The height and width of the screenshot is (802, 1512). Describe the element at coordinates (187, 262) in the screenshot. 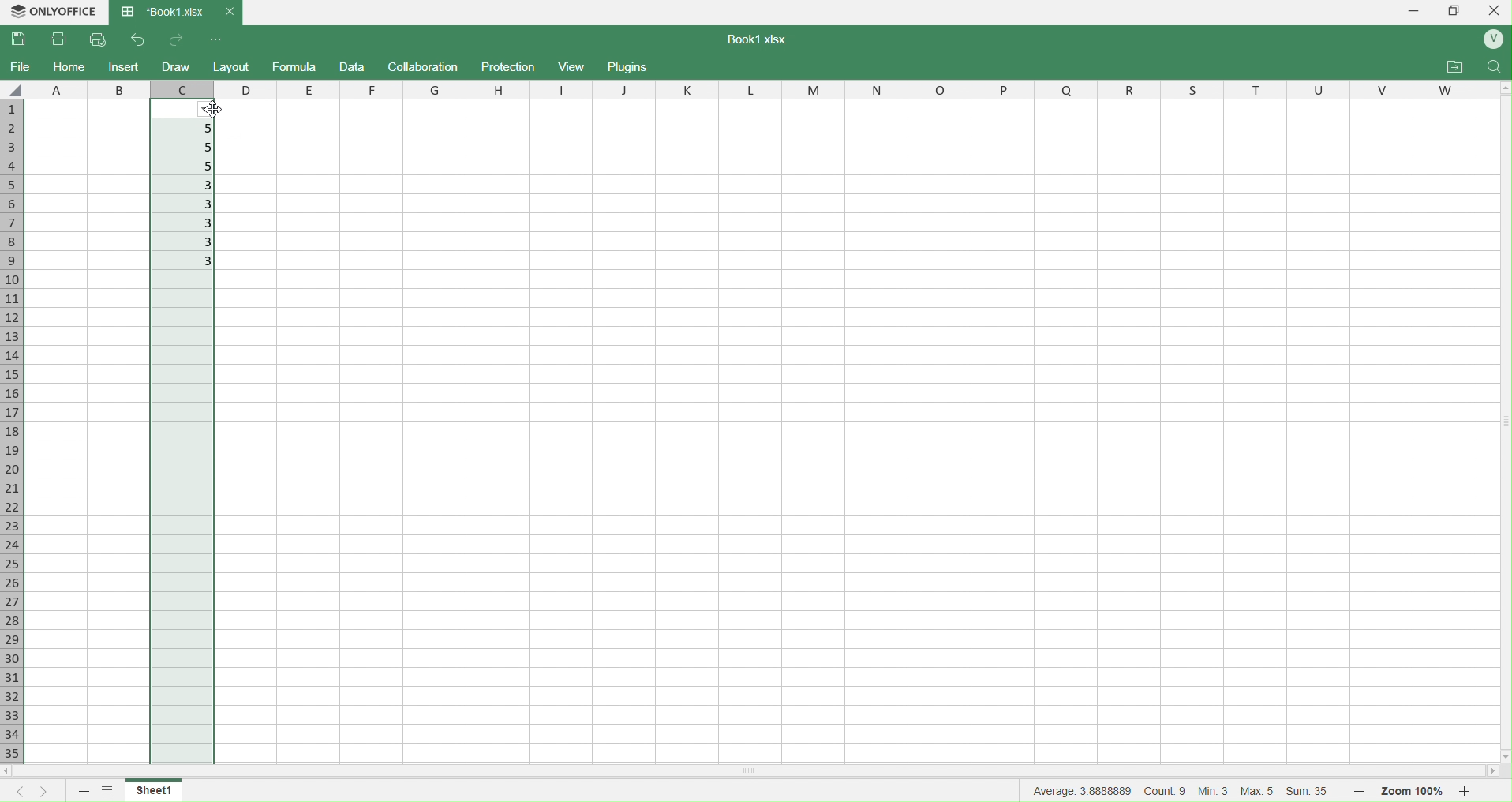

I see `3` at that location.